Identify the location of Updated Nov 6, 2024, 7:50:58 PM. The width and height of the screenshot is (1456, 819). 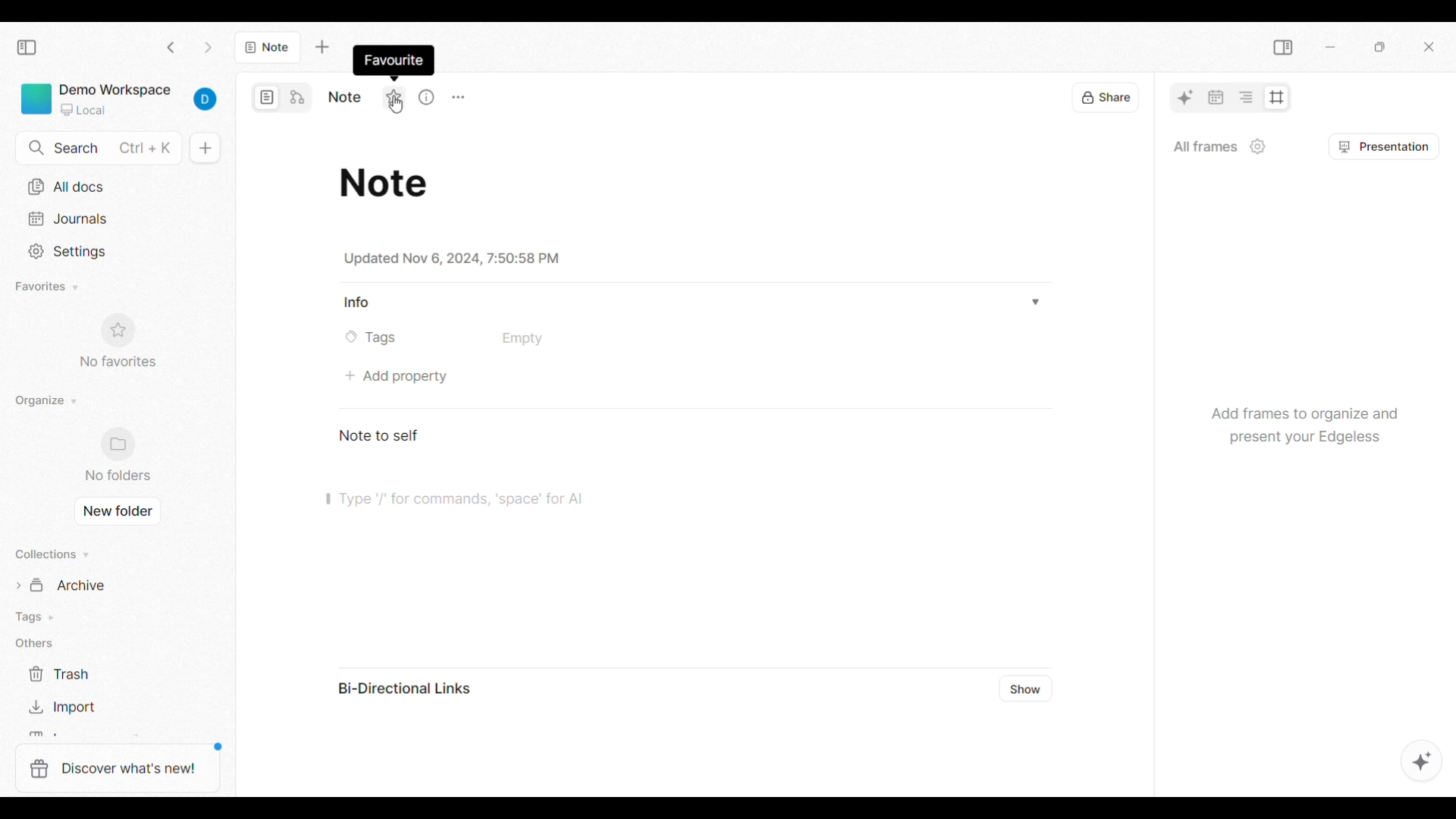
(450, 259).